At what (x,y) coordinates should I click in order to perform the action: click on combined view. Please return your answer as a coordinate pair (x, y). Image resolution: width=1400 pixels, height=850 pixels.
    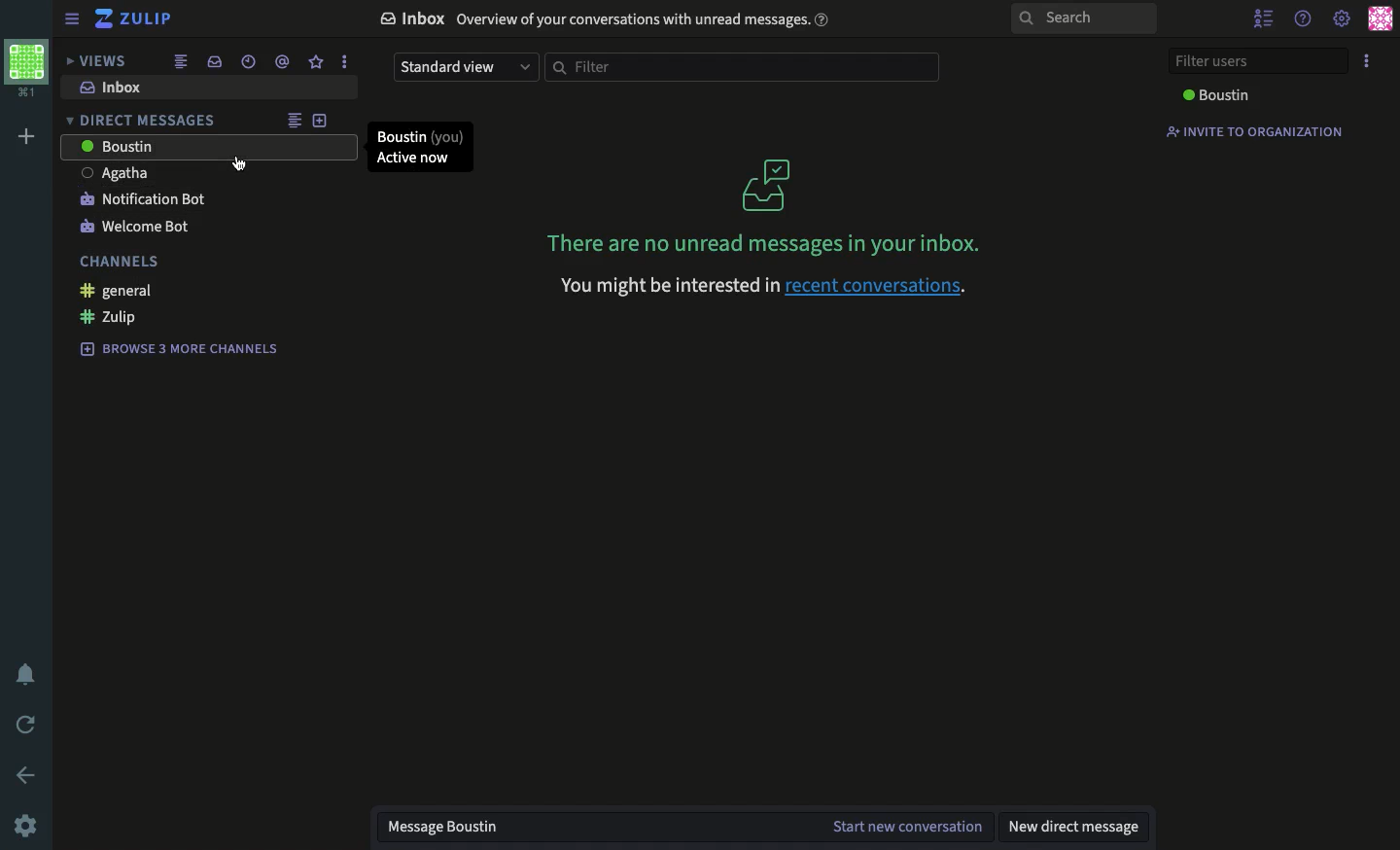
    Looking at the image, I should click on (295, 118).